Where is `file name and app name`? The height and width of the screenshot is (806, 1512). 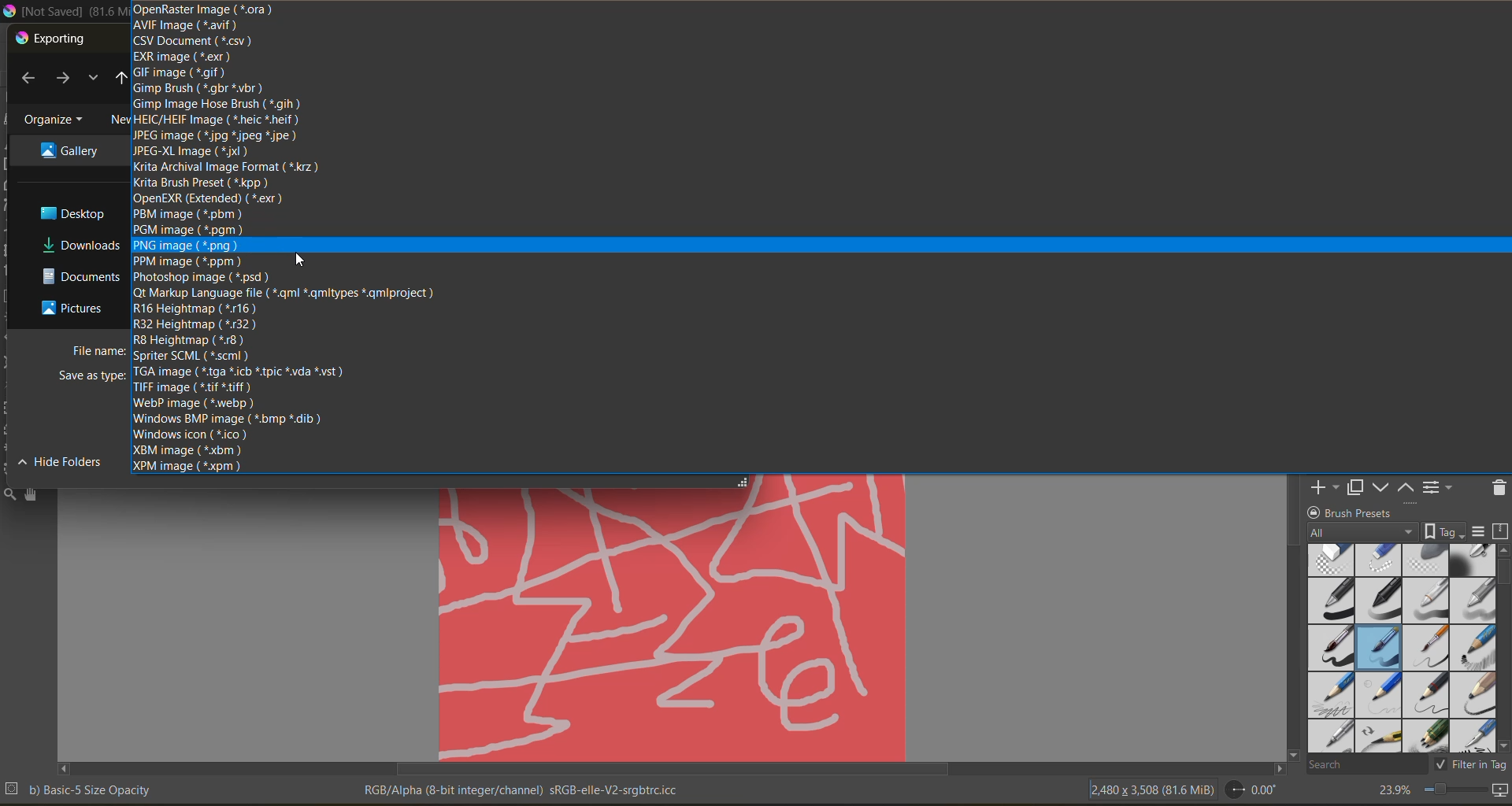 file name and app name is located at coordinates (63, 12).